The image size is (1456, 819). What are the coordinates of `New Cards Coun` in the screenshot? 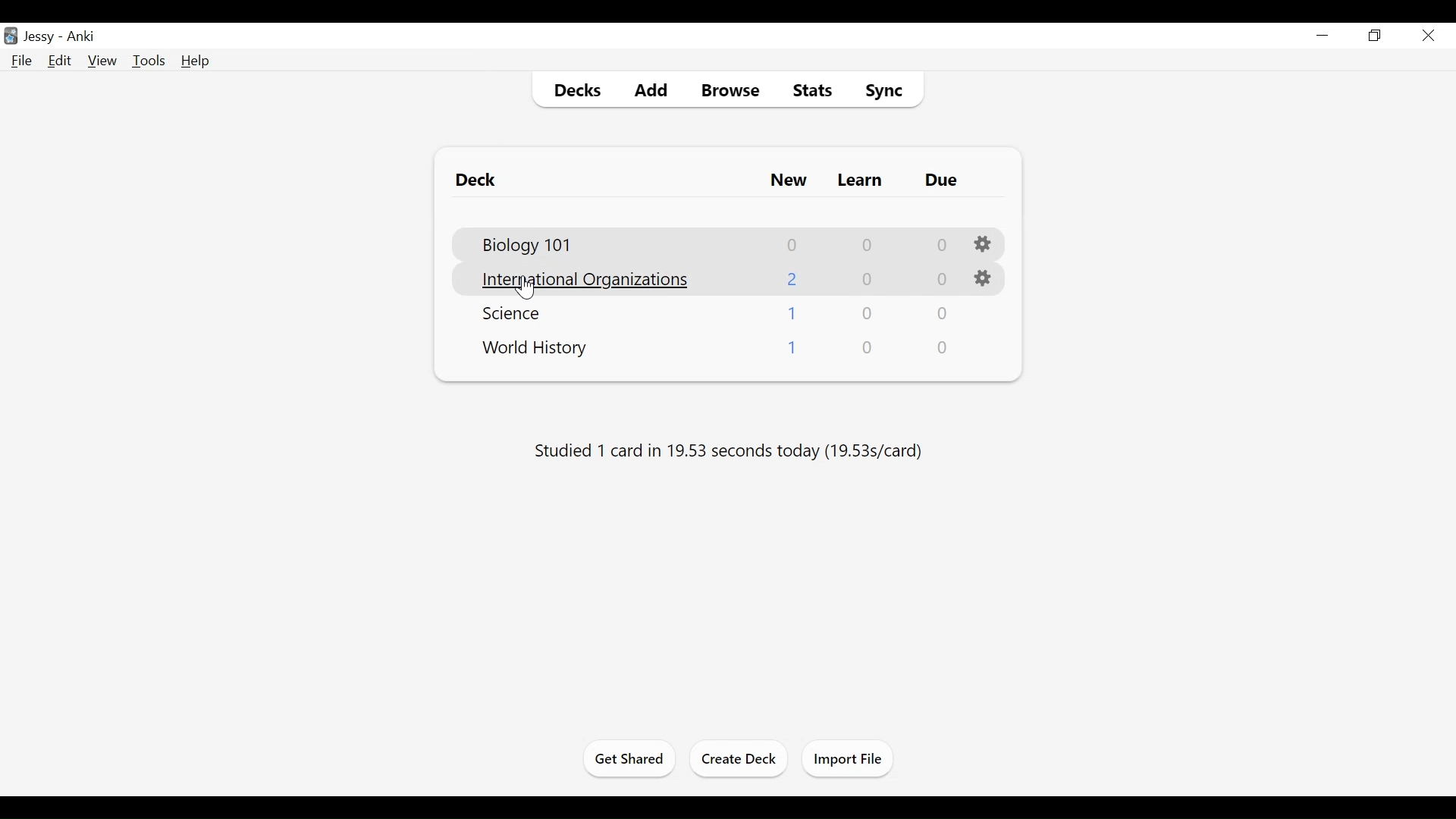 It's located at (793, 313).